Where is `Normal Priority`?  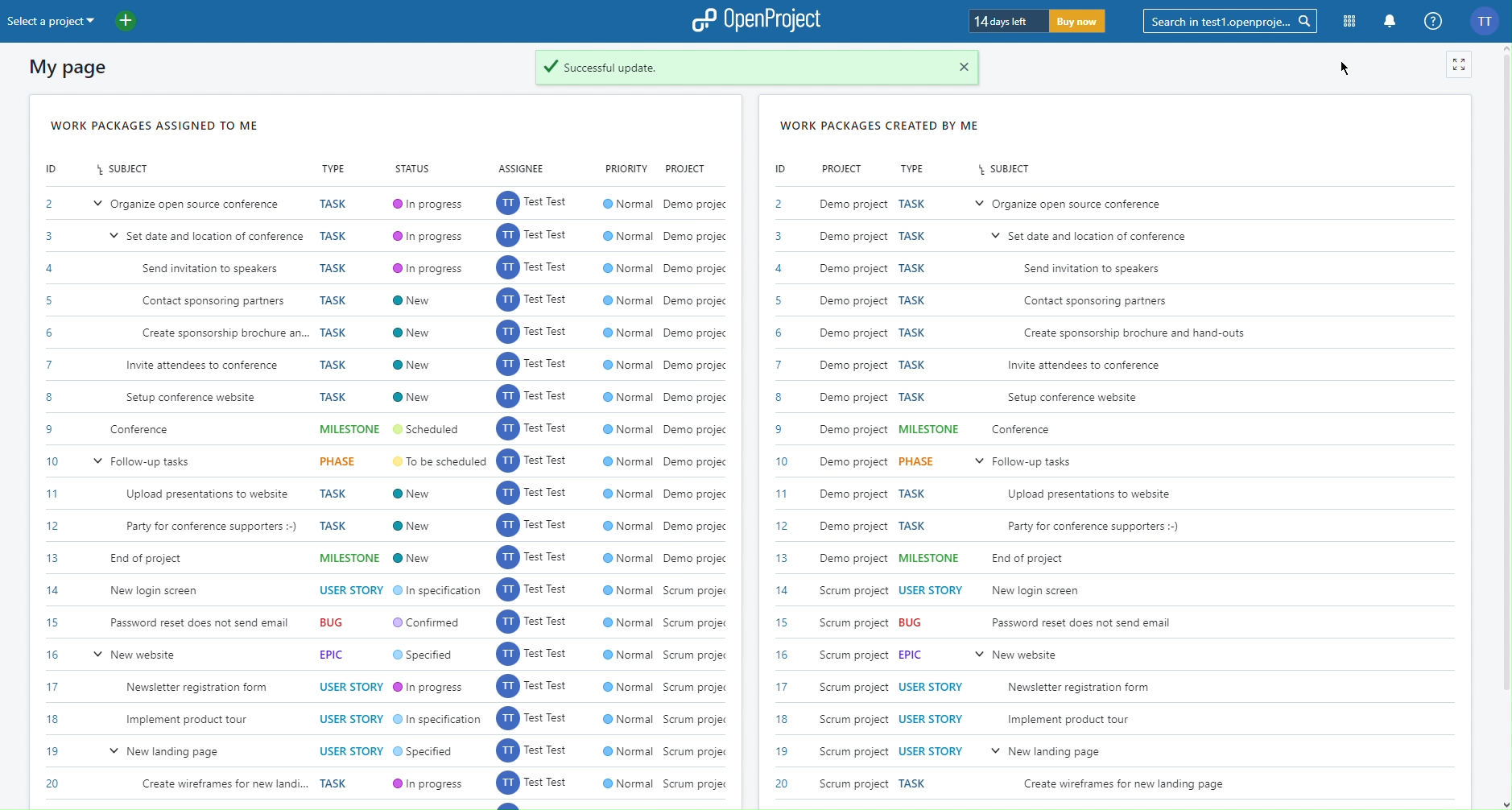 Normal Priority is located at coordinates (626, 499).